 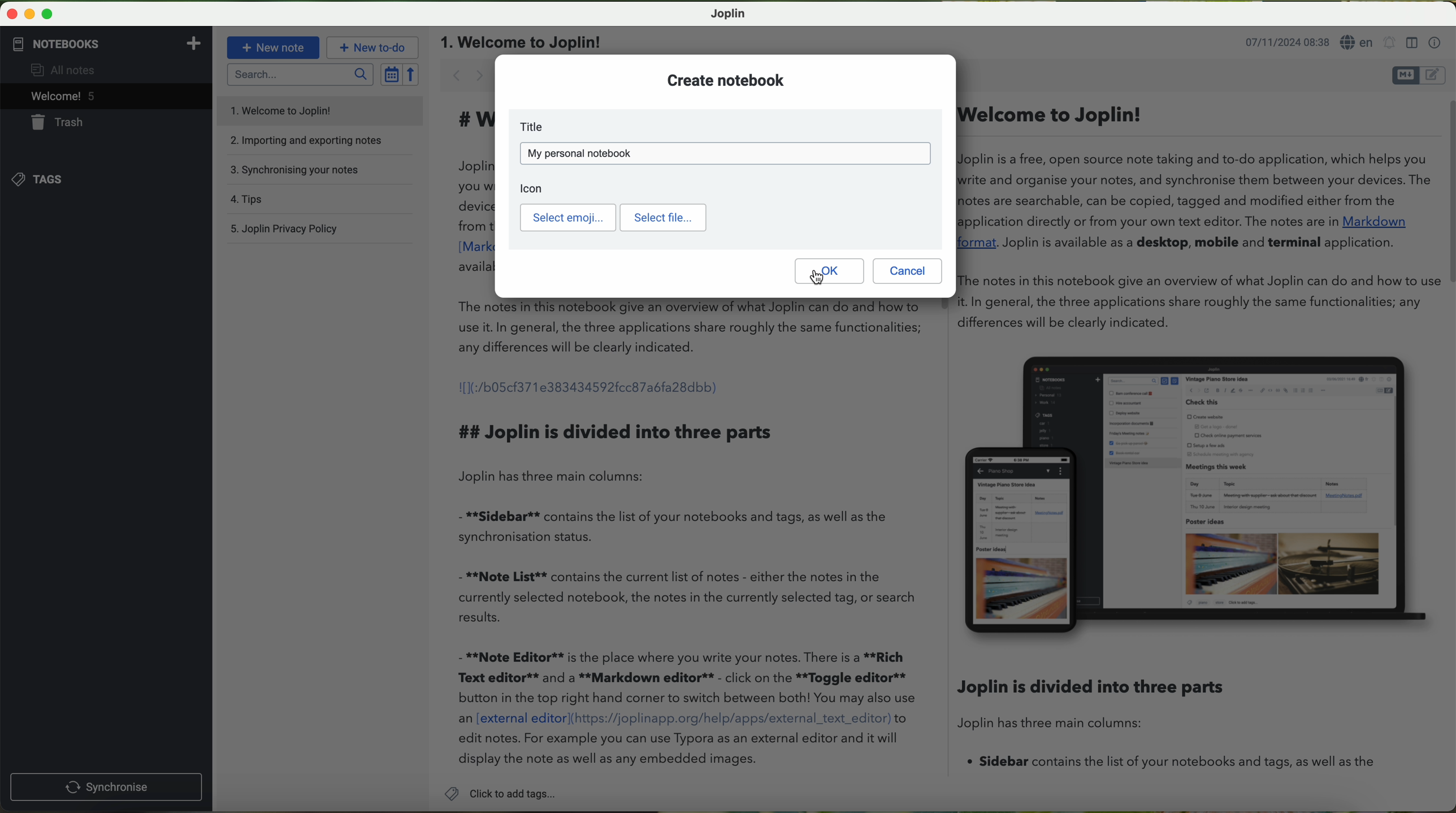 What do you see at coordinates (287, 228) in the screenshot?
I see `Joplin privacy policy` at bounding box center [287, 228].